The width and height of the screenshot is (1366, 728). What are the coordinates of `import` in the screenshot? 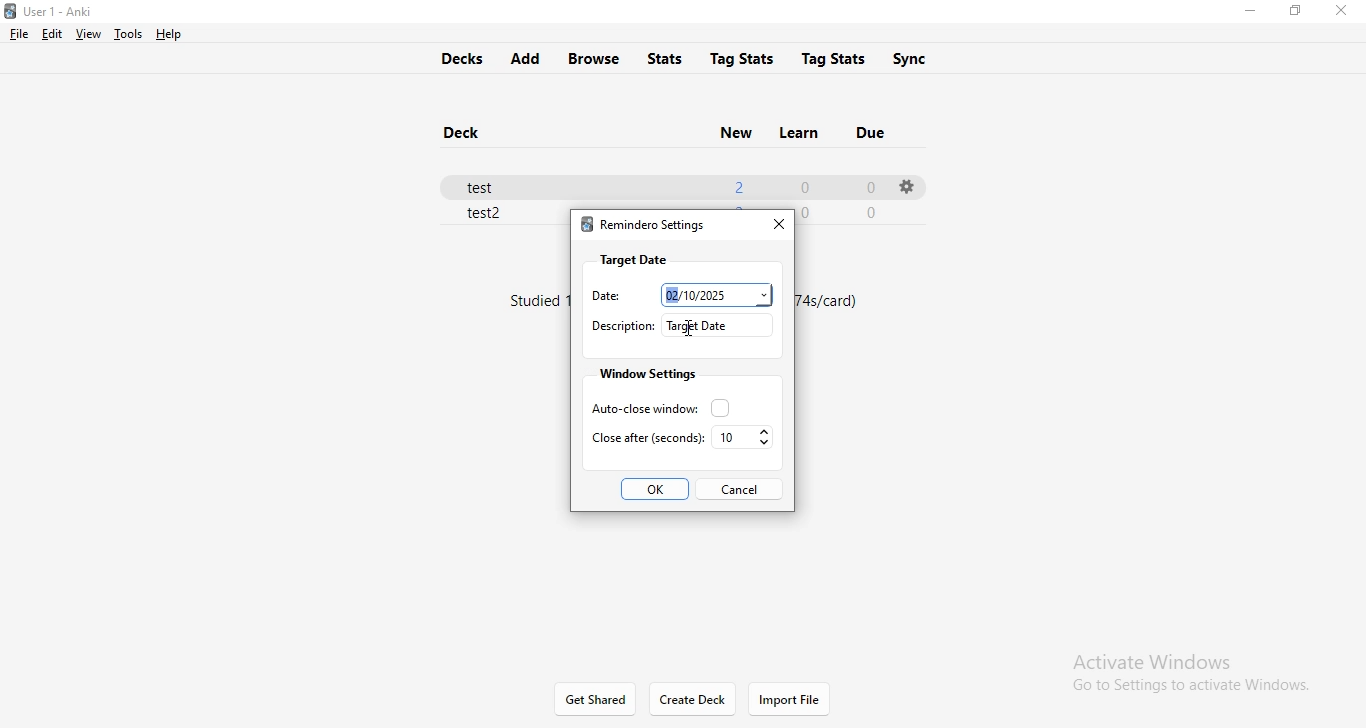 It's located at (789, 700).